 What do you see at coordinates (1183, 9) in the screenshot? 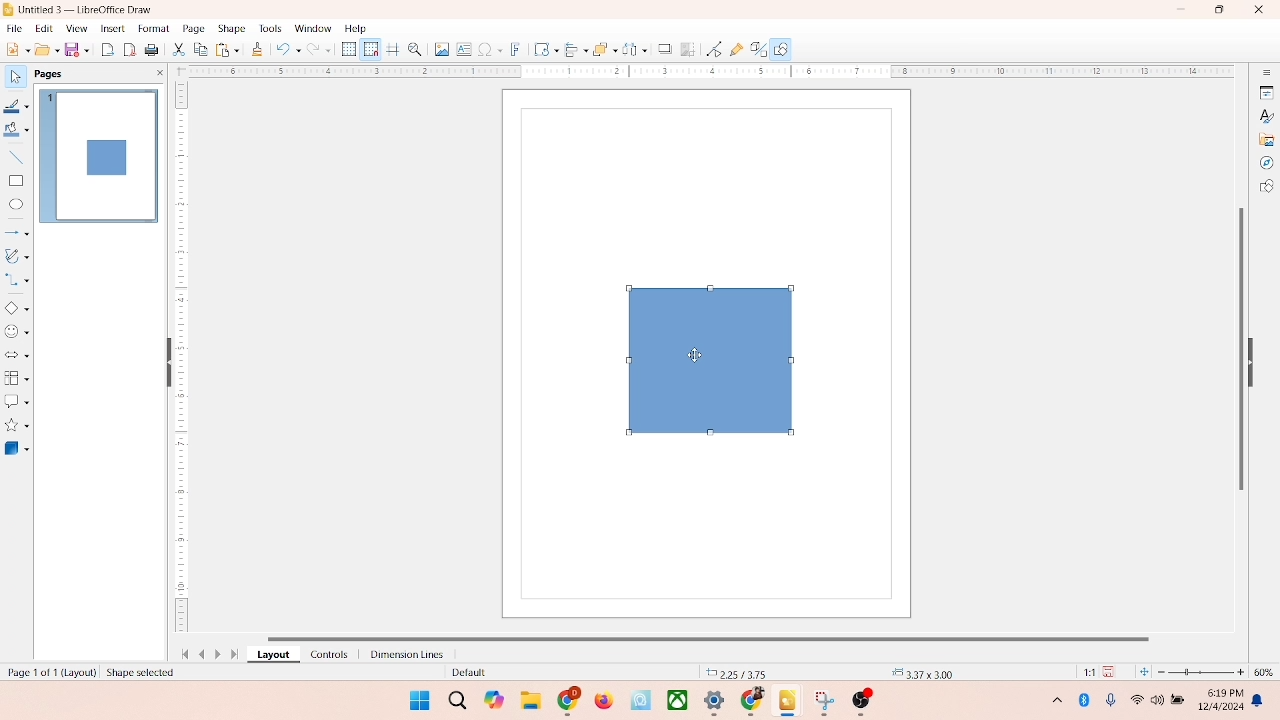
I see `minimize` at bounding box center [1183, 9].